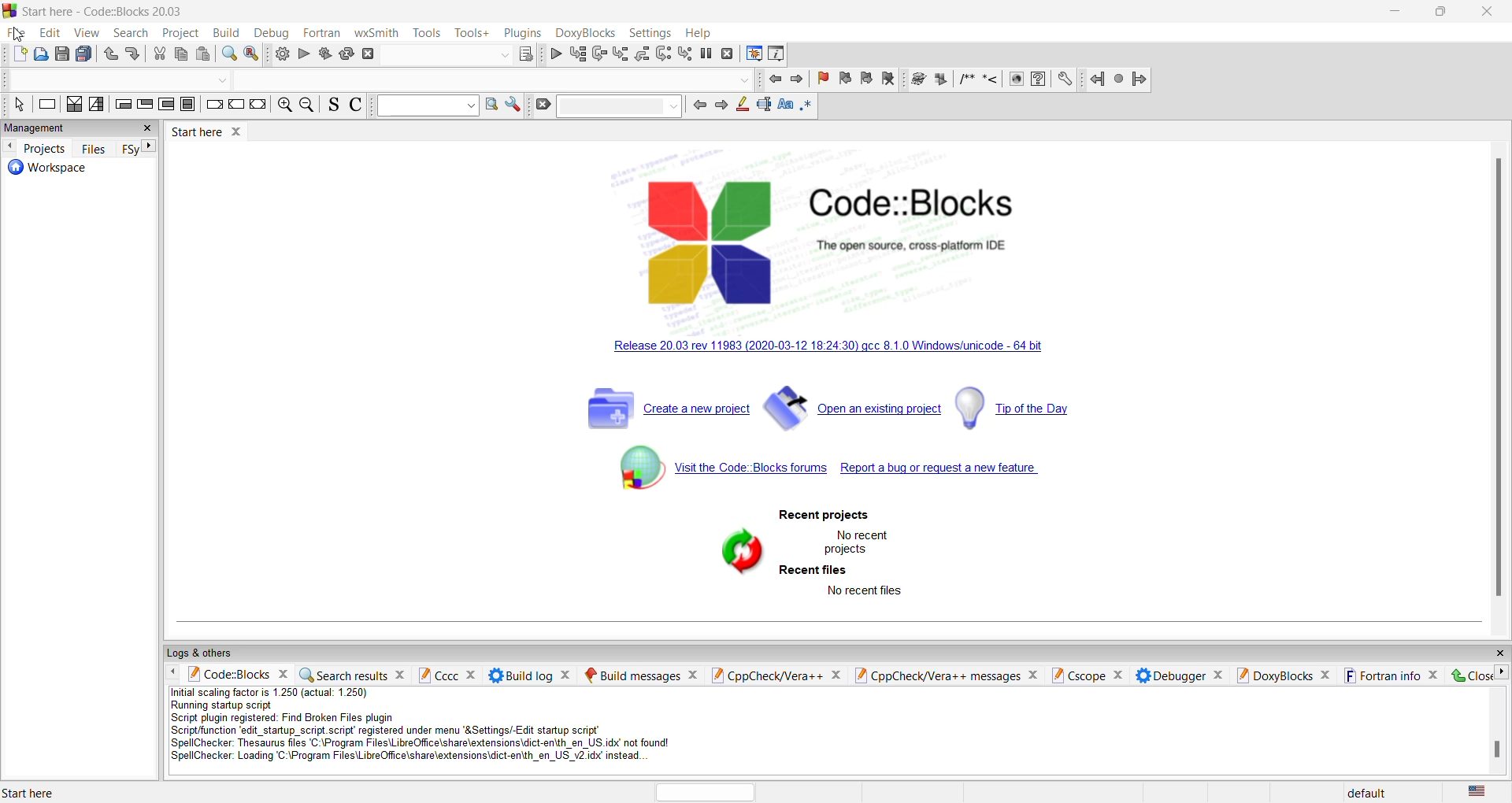 This screenshot has width=1512, height=803. I want to click on instruction, so click(46, 105).